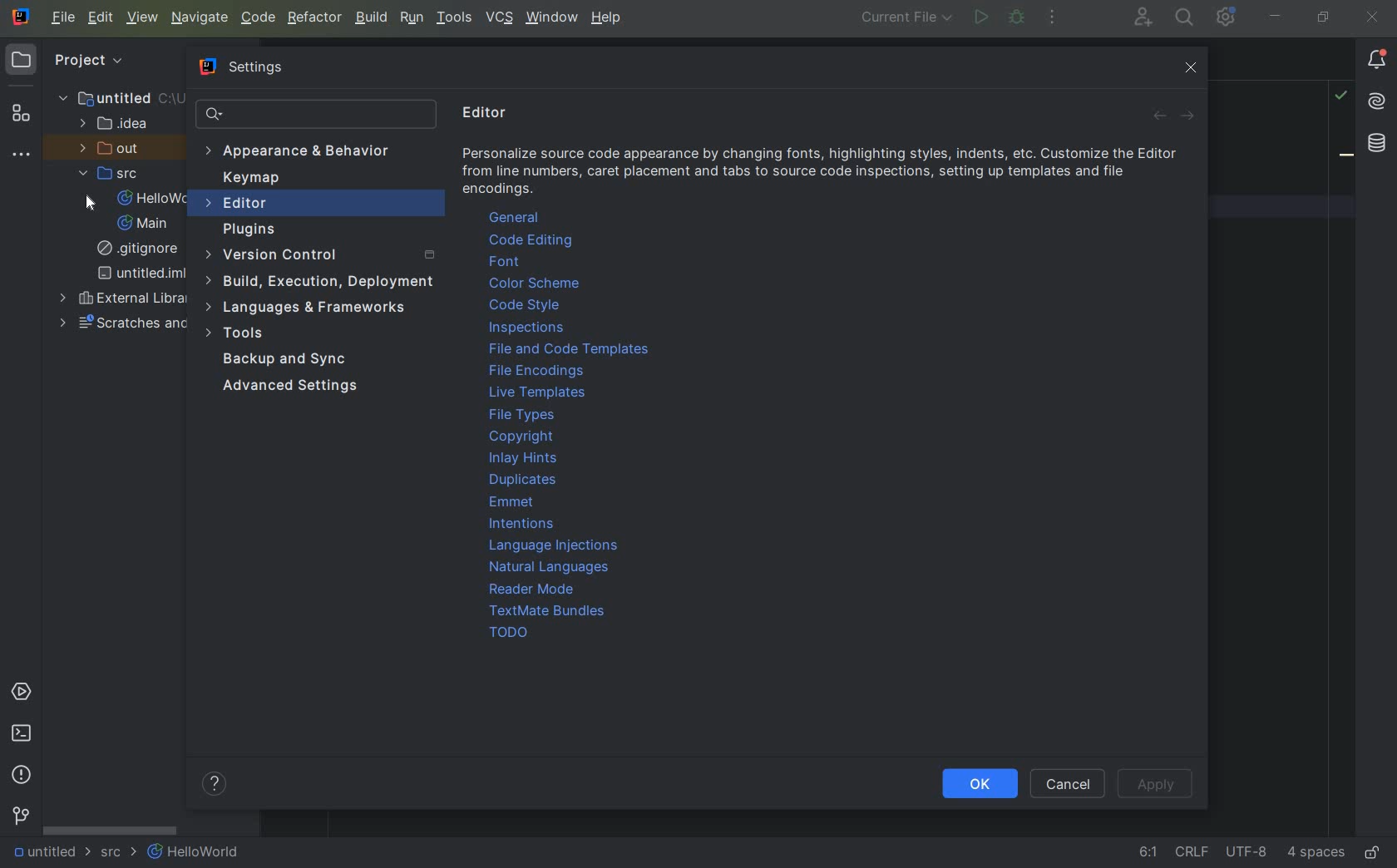 This screenshot has height=868, width=1397. I want to click on PROJECT, so click(22, 61).